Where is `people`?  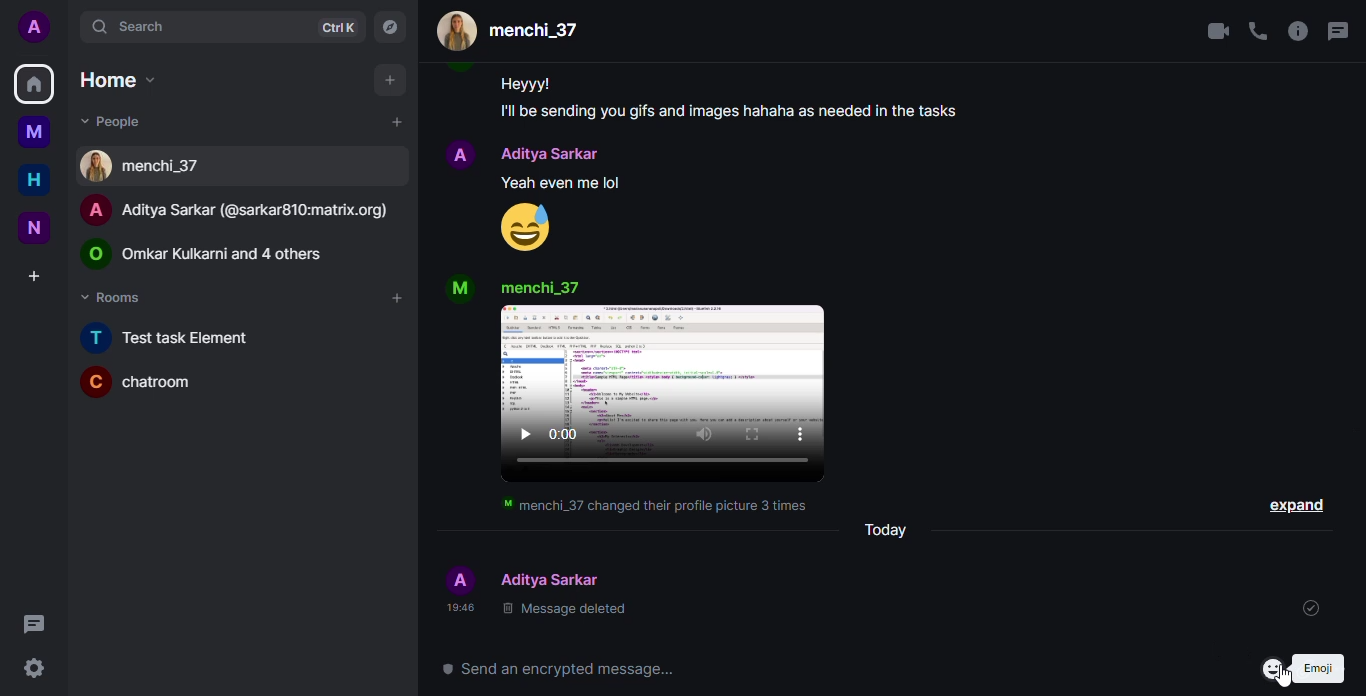
people is located at coordinates (147, 166).